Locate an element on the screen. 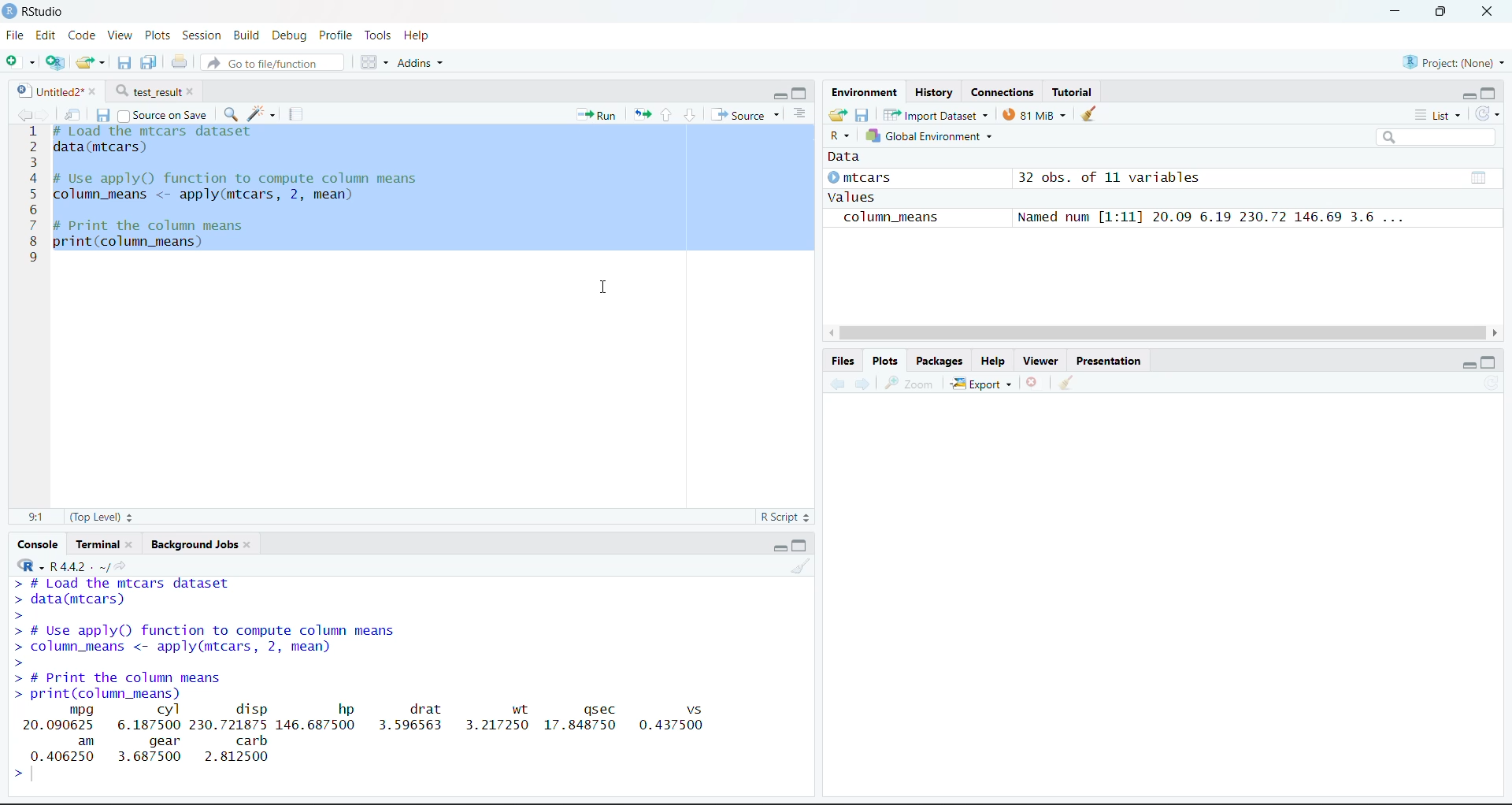 Image resolution: width=1512 pixels, height=805 pixels. Print the current file is located at coordinates (180, 59).